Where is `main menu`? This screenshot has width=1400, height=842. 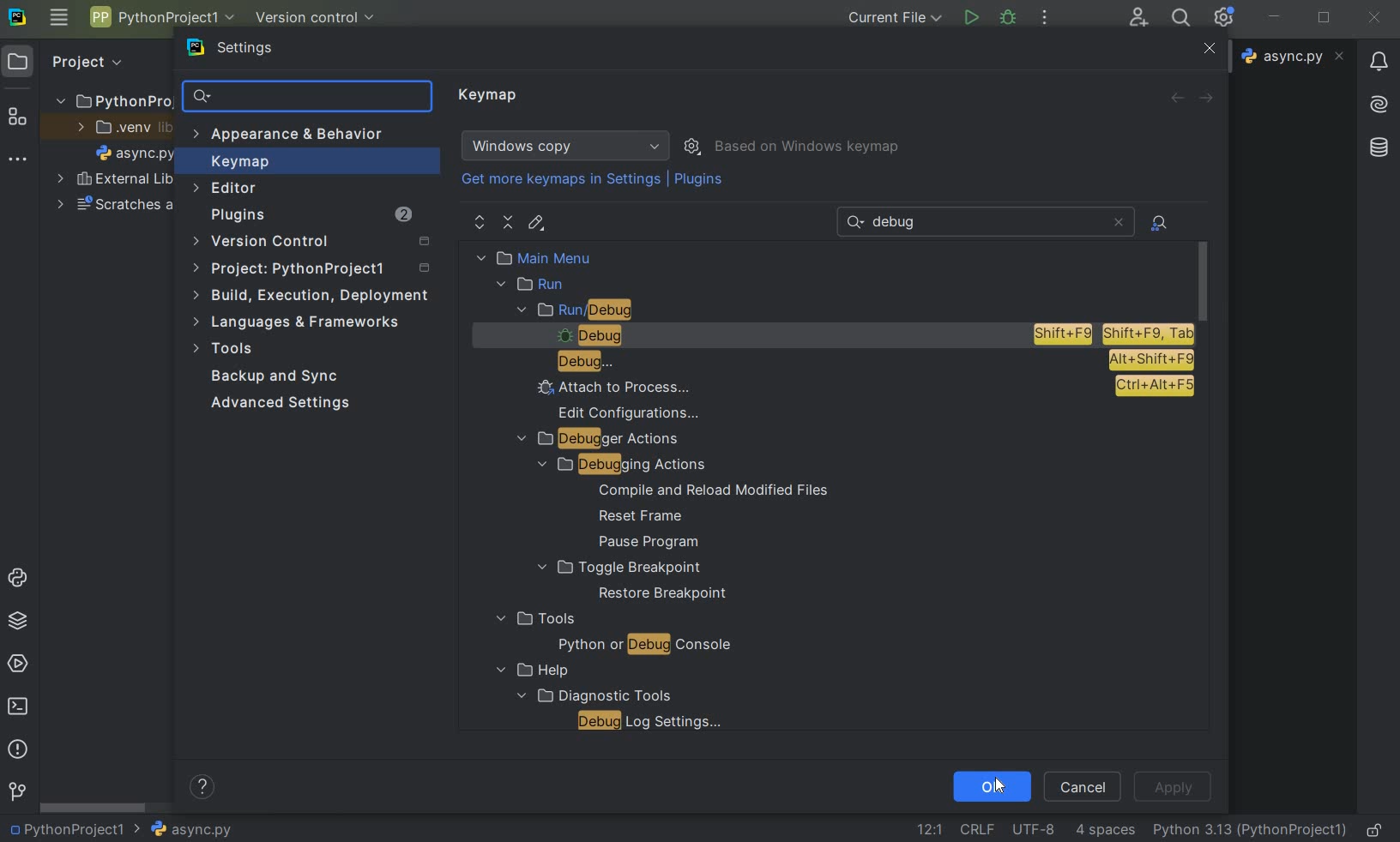
main menu is located at coordinates (571, 257).